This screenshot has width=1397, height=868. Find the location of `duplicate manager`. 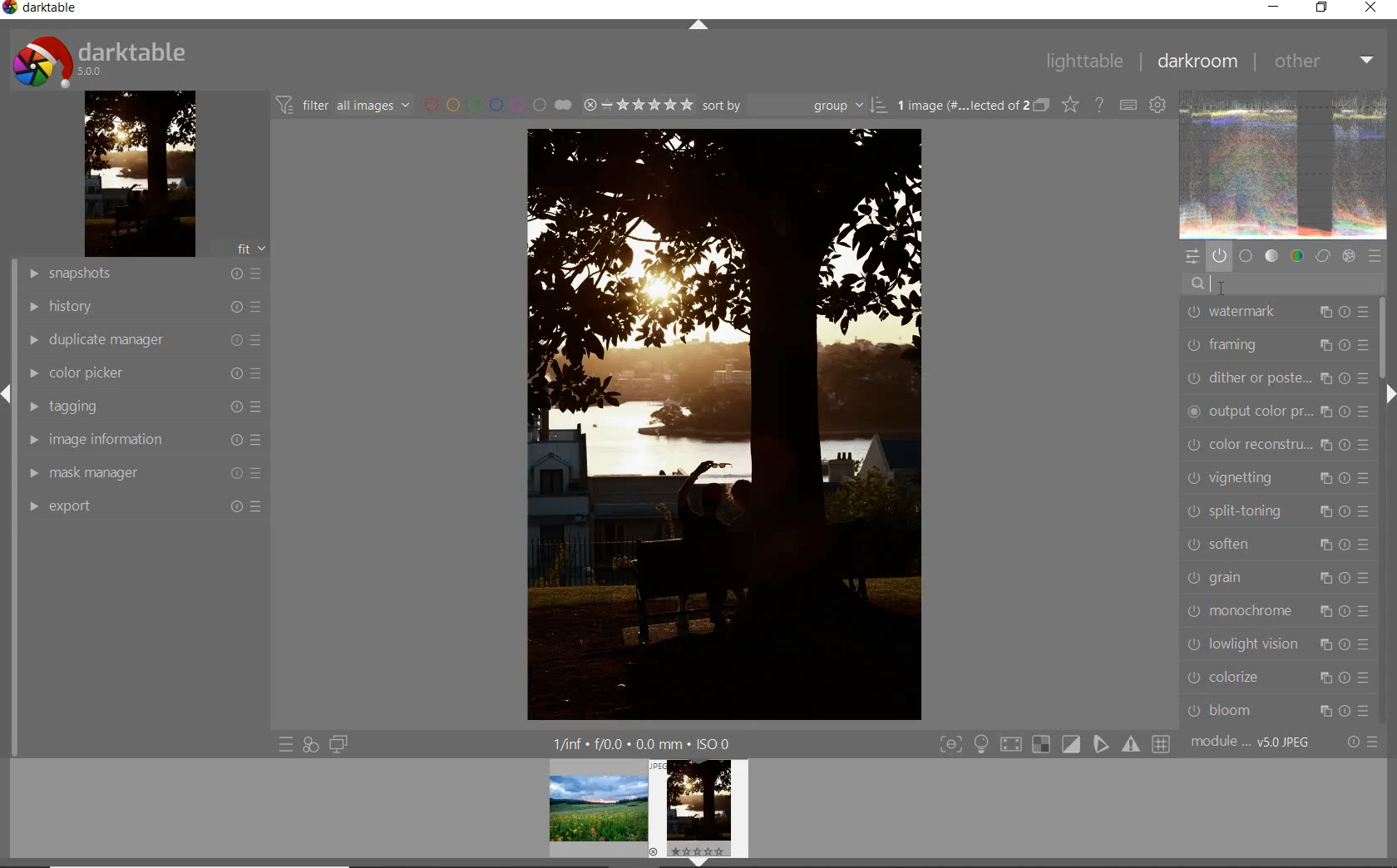

duplicate manager is located at coordinates (137, 340).